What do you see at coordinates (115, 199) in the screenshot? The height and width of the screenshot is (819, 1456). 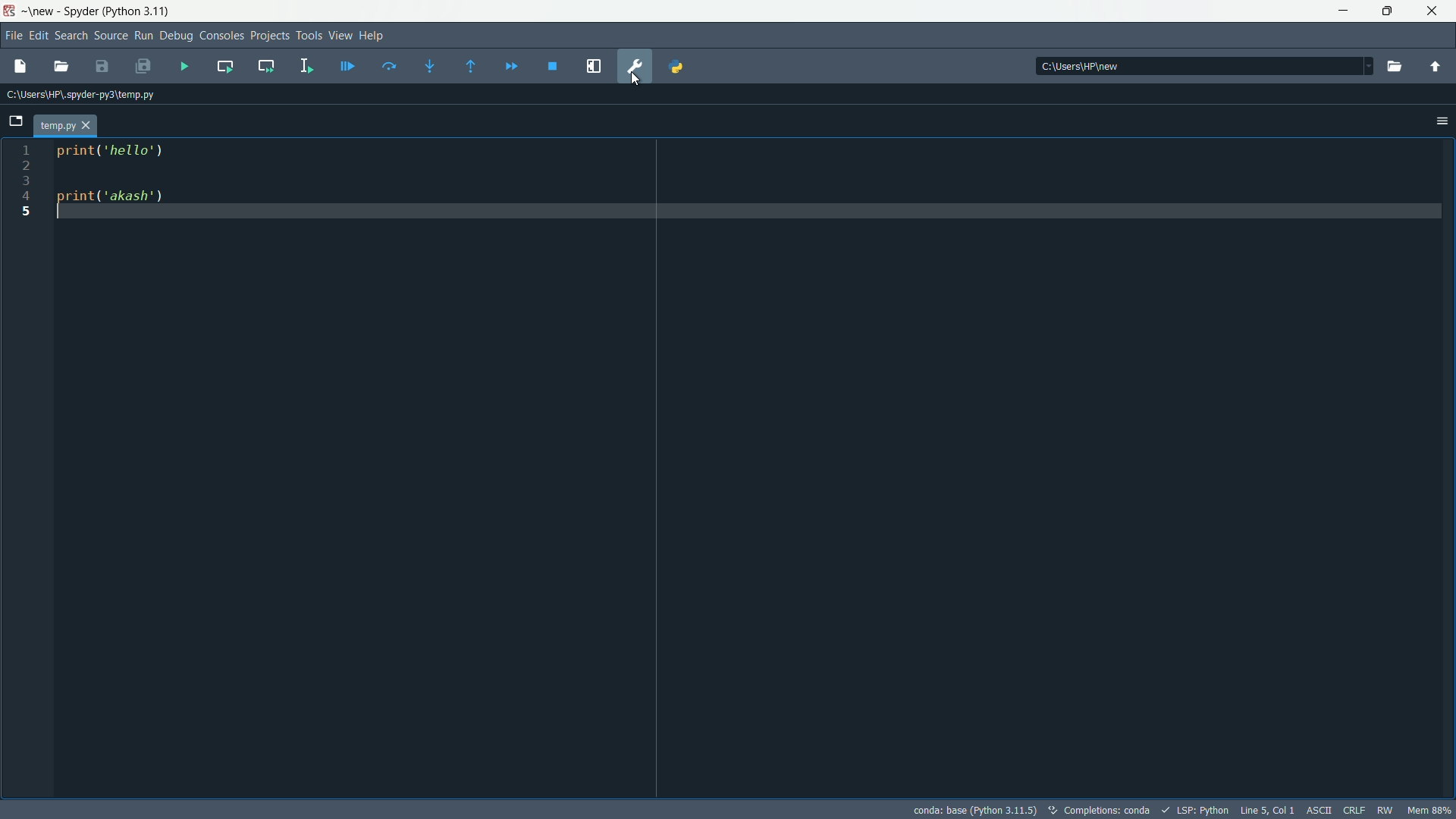 I see `print( ‘akash')` at bounding box center [115, 199].